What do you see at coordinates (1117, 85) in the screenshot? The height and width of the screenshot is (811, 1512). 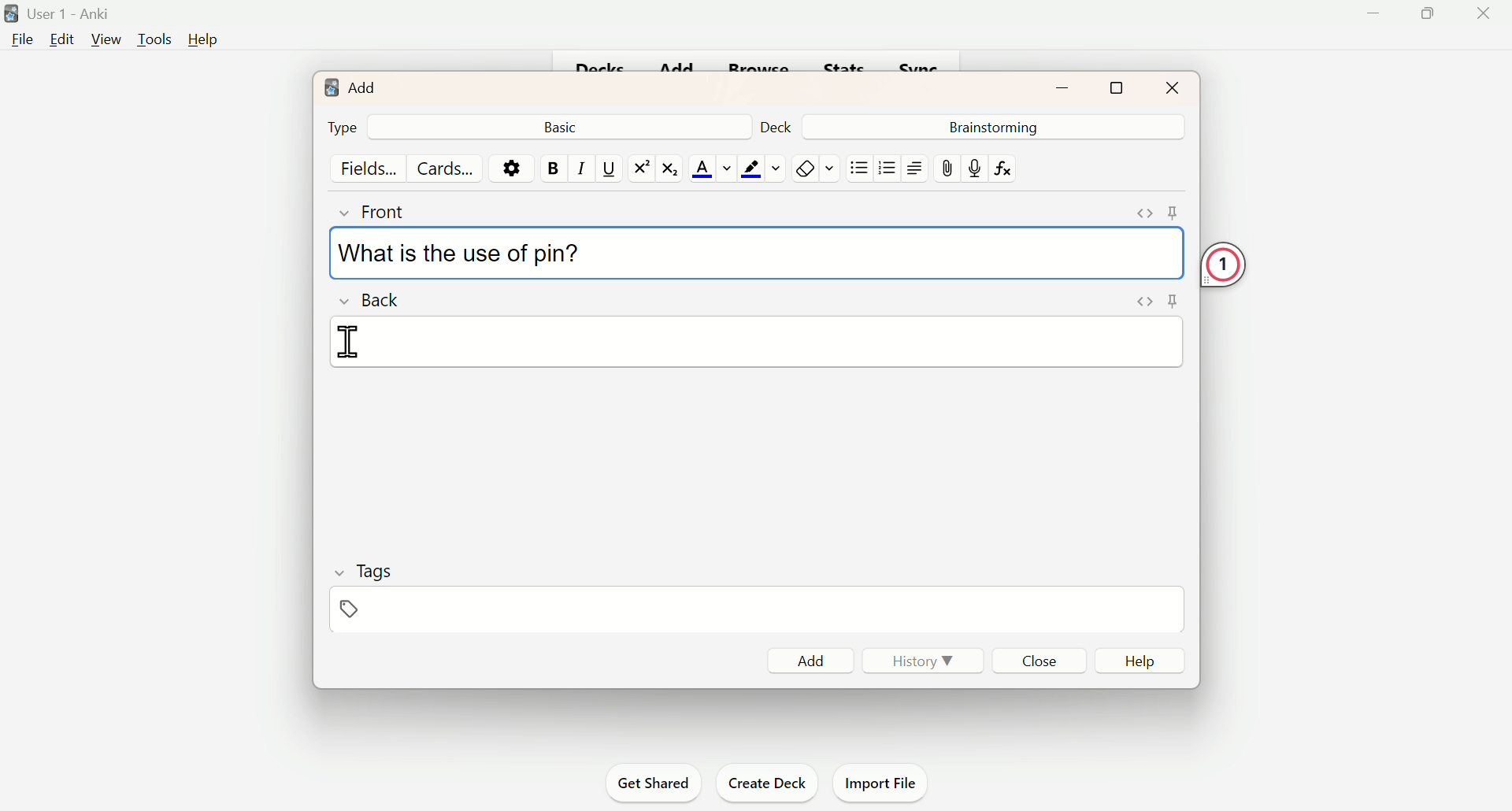 I see `Maximize` at bounding box center [1117, 85].